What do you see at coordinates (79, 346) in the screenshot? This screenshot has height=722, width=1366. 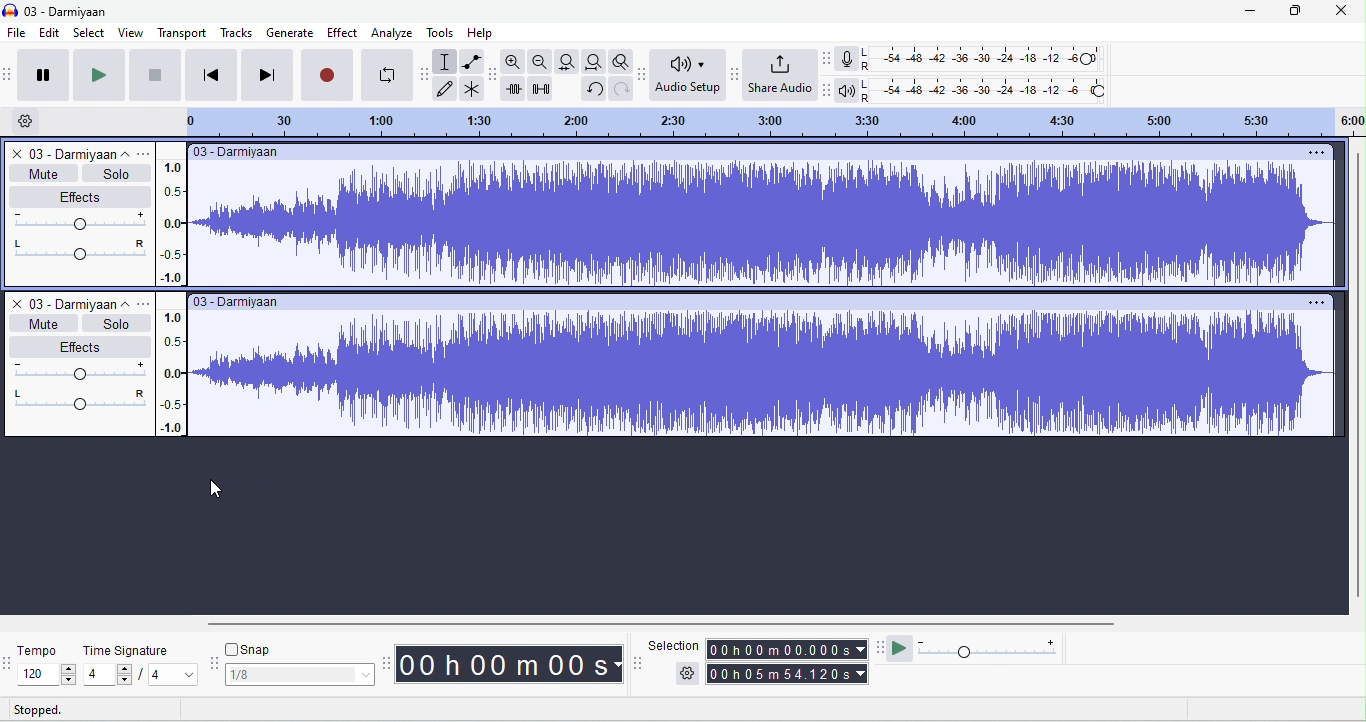 I see `effects` at bounding box center [79, 346].